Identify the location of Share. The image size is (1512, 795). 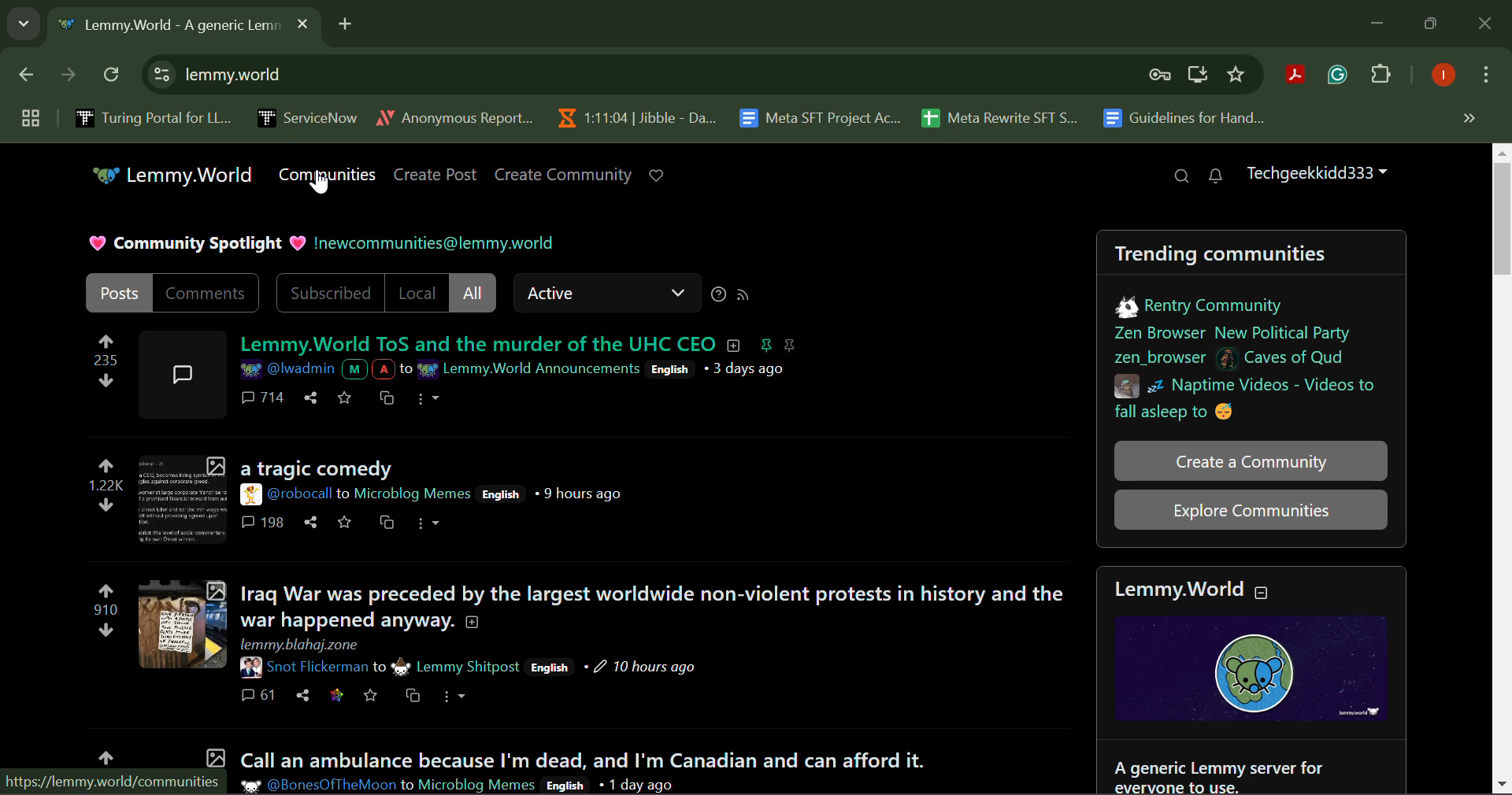
(310, 522).